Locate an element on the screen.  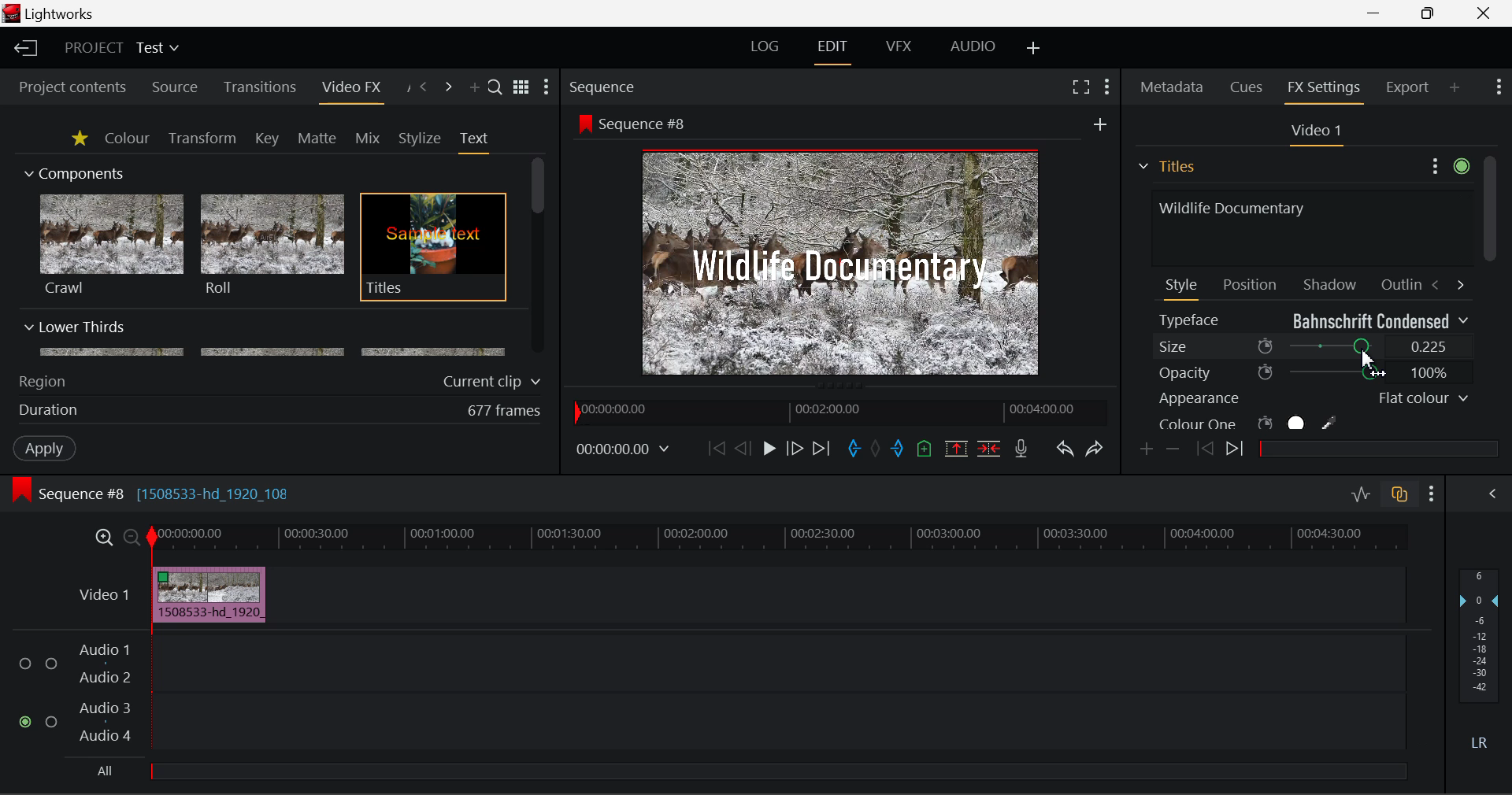
Toggle list and title view is located at coordinates (523, 87).